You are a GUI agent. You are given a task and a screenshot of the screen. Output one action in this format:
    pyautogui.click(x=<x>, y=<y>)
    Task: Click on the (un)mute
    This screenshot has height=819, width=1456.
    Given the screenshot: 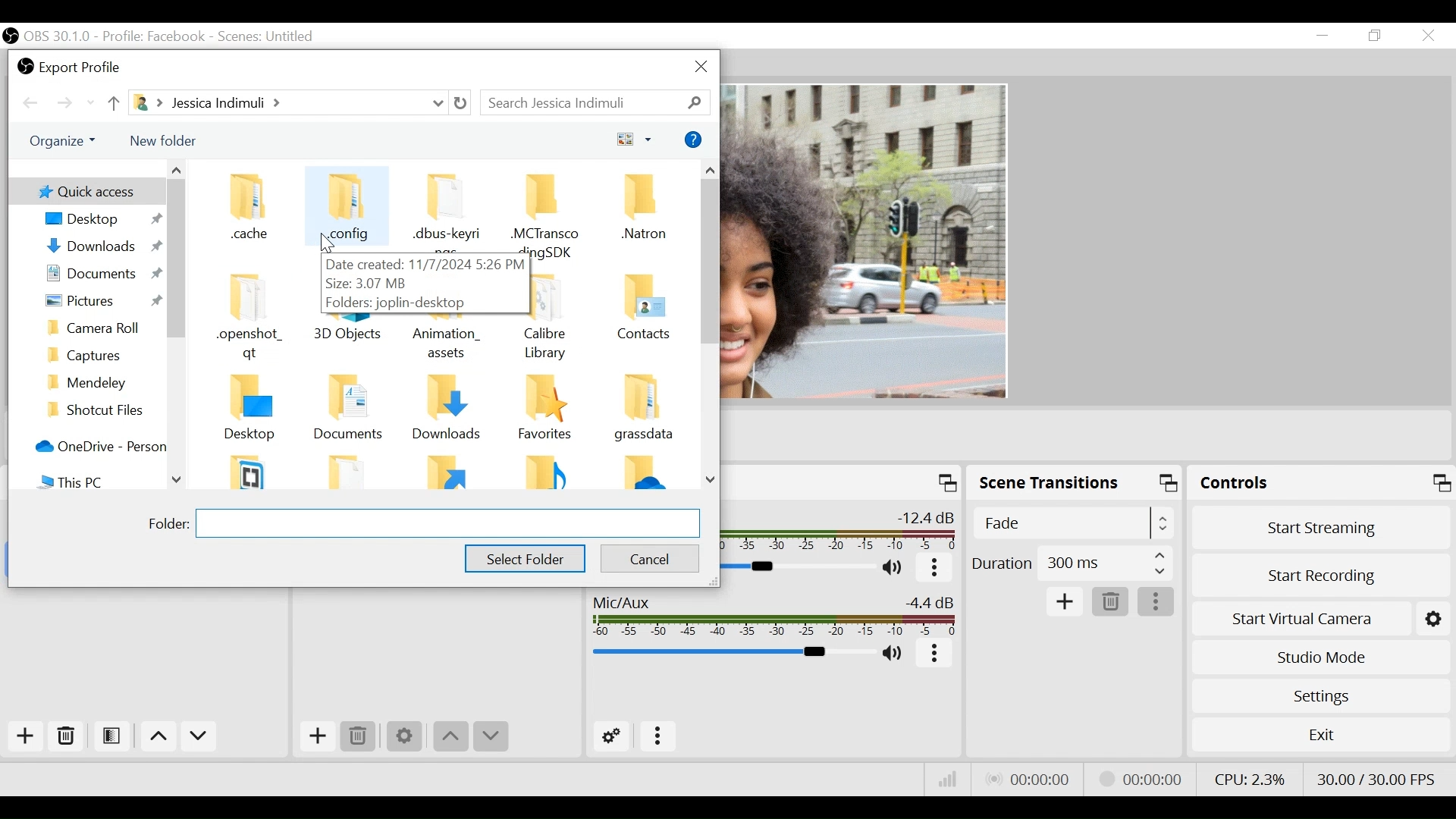 What is the action you would take?
    pyautogui.click(x=897, y=569)
    